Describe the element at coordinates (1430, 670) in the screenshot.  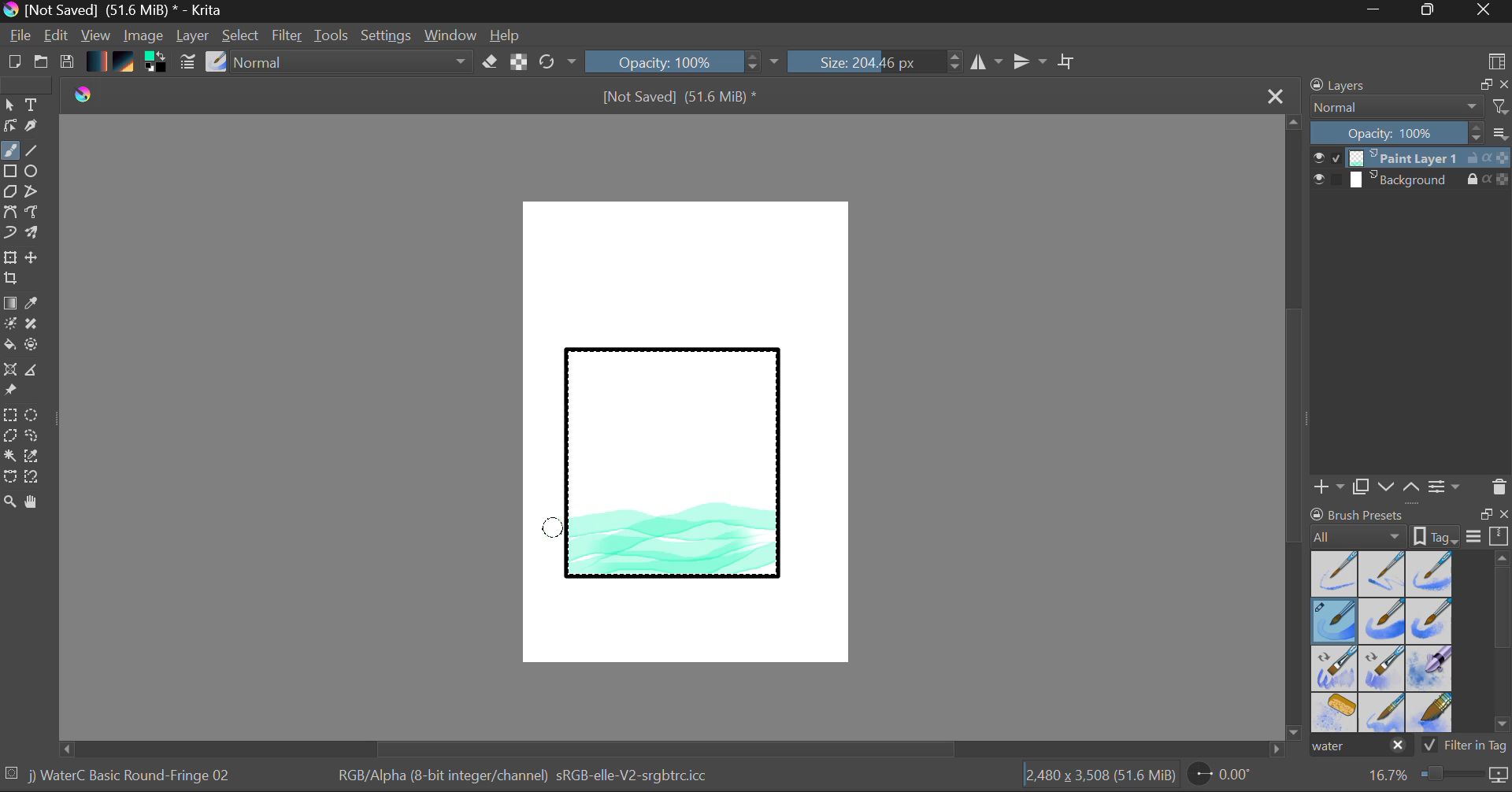
I see `Water C - Special Blobs` at that location.